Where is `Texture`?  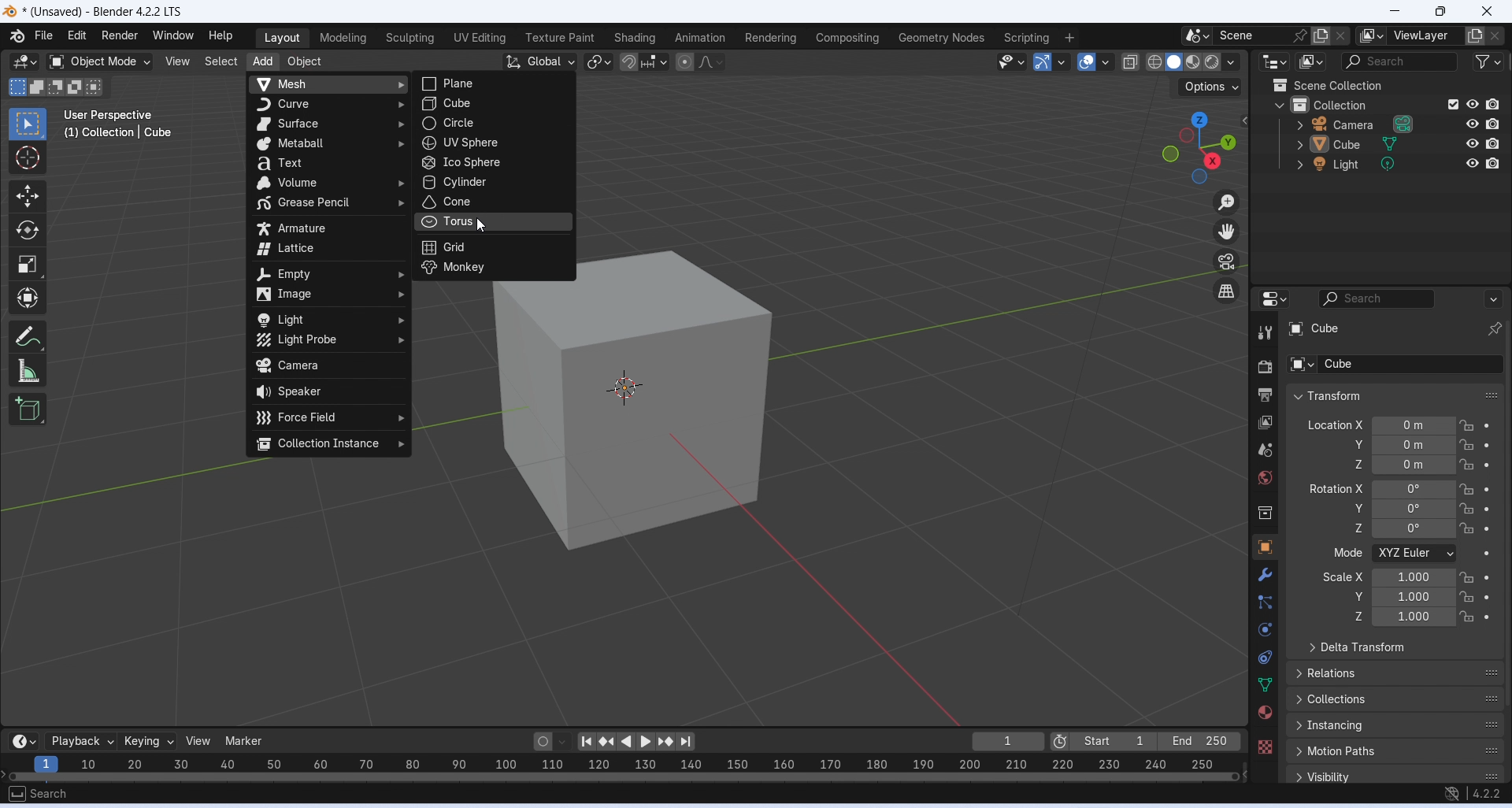
Texture is located at coordinates (1264, 747).